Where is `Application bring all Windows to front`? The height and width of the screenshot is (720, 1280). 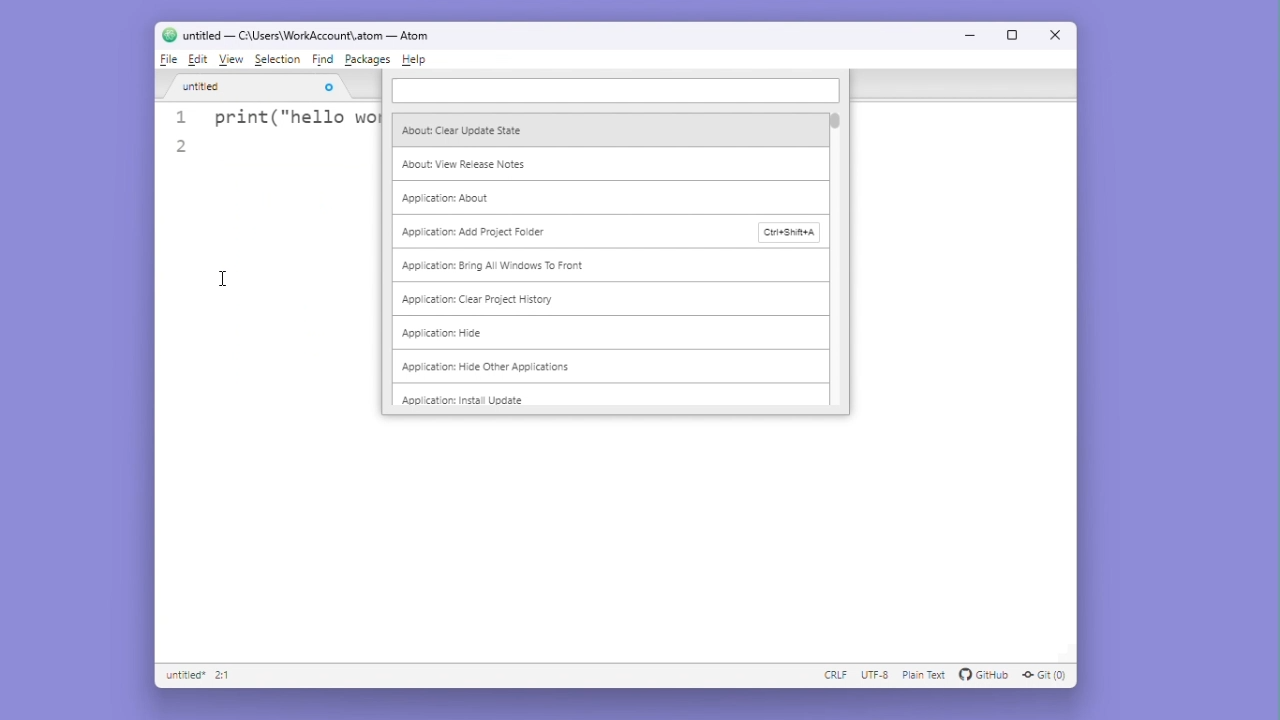 Application bring all Windows to front is located at coordinates (493, 265).